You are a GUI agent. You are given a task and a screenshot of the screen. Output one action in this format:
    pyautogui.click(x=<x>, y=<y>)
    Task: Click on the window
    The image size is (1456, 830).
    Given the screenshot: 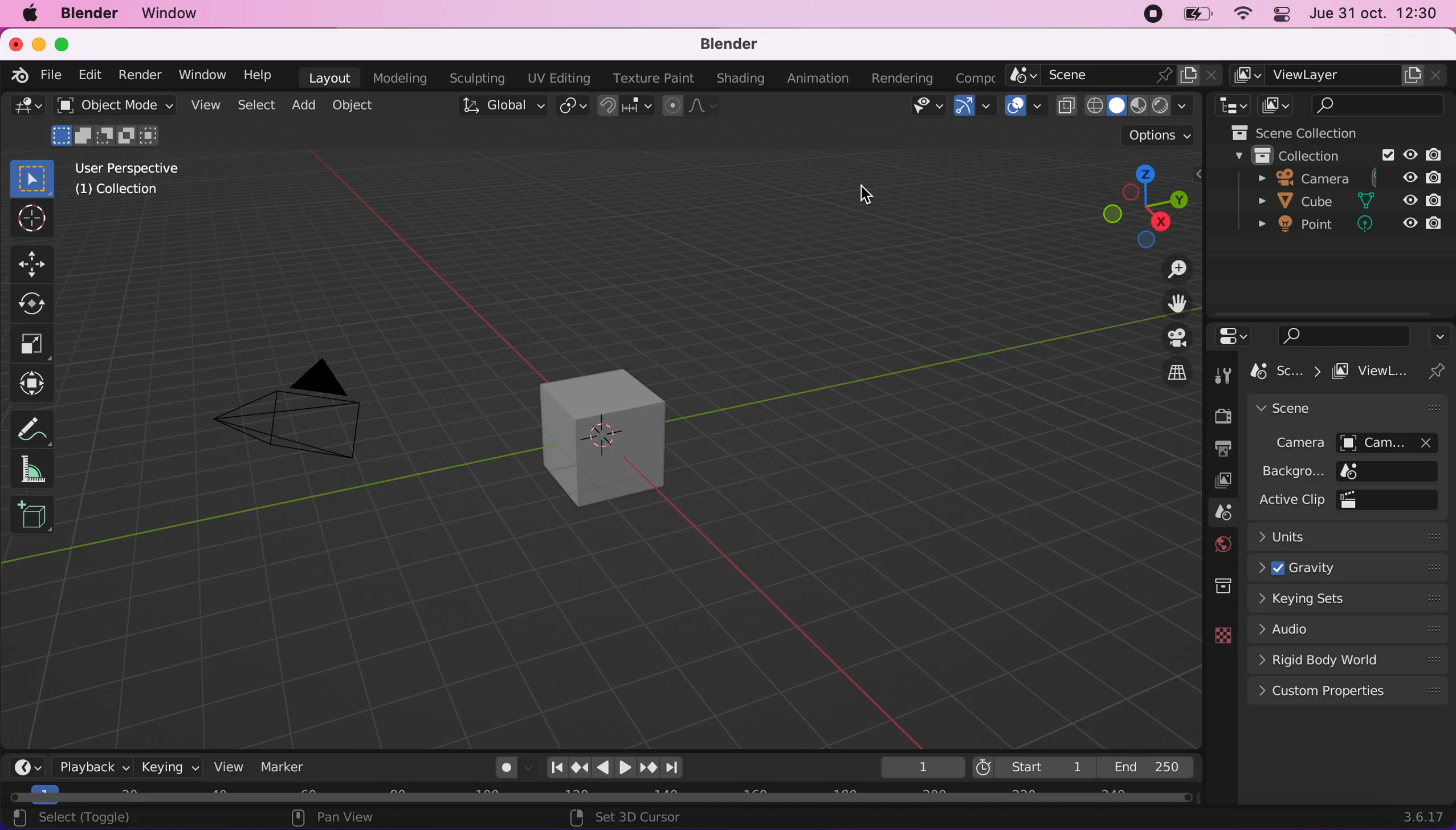 What is the action you would take?
    pyautogui.click(x=182, y=15)
    